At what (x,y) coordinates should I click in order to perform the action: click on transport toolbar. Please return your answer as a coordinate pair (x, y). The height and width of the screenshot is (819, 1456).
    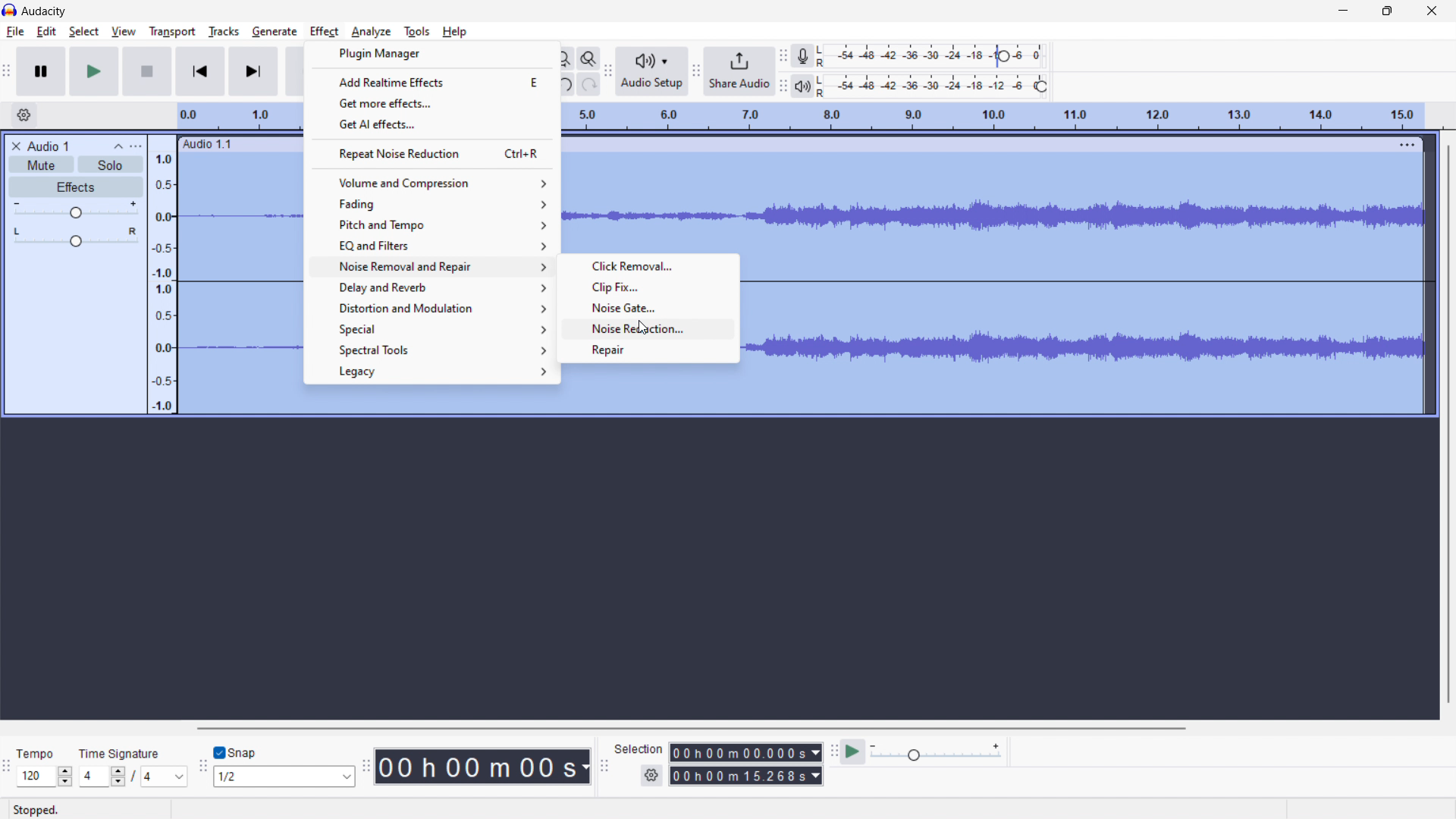
    Looking at the image, I should click on (8, 70).